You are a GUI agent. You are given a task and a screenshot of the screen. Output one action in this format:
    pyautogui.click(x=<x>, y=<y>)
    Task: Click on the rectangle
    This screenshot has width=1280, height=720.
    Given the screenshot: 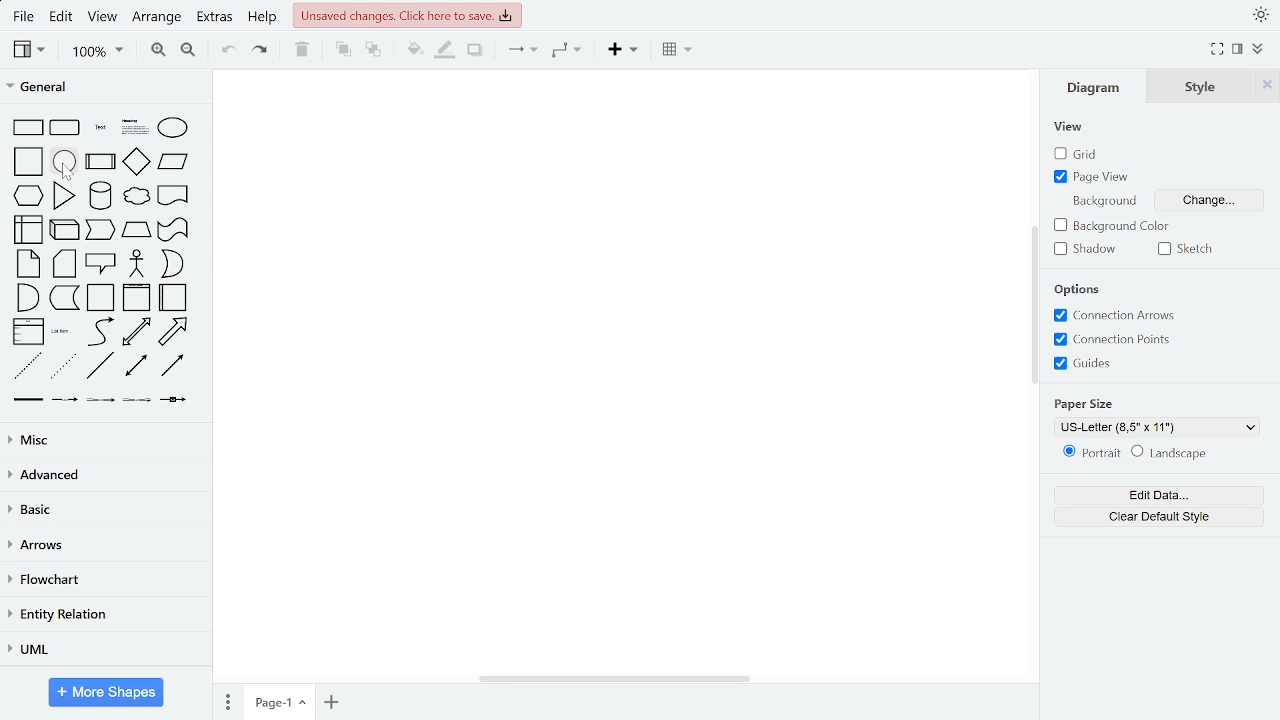 What is the action you would take?
    pyautogui.click(x=29, y=127)
    